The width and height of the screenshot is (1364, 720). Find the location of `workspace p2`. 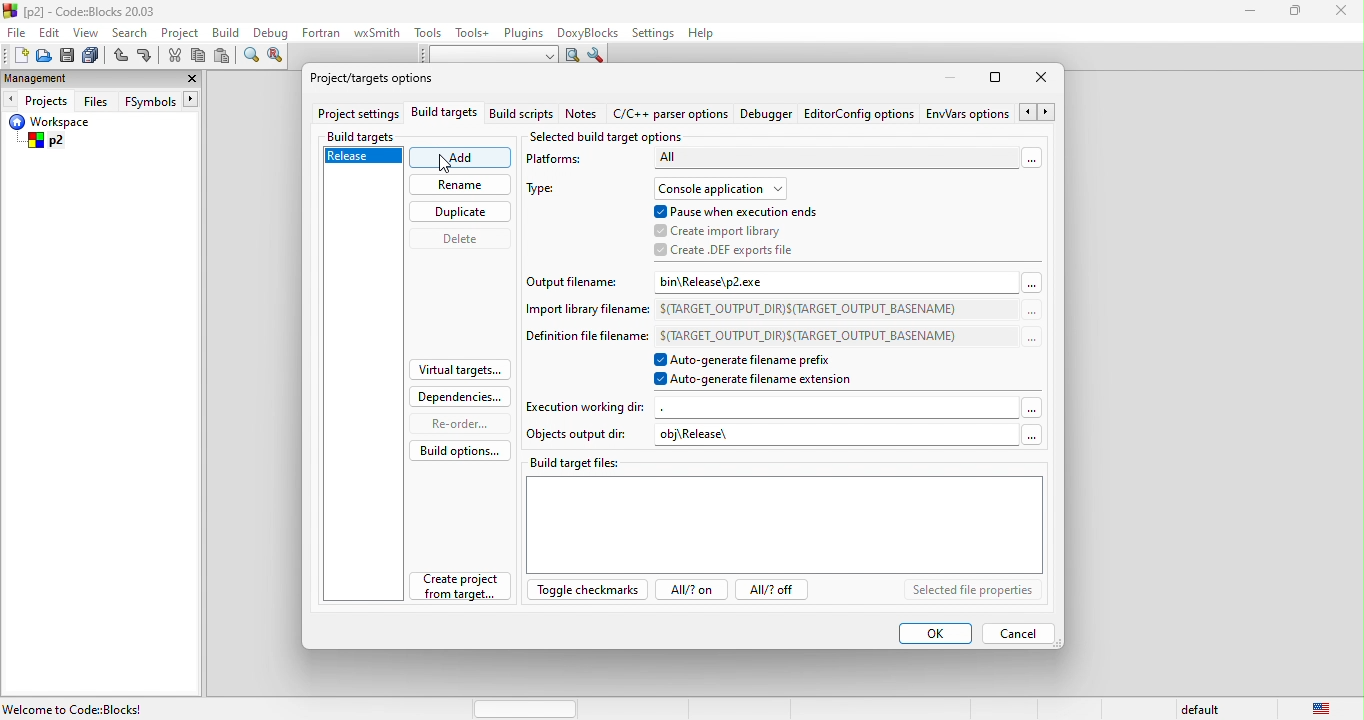

workspace p2 is located at coordinates (80, 133).